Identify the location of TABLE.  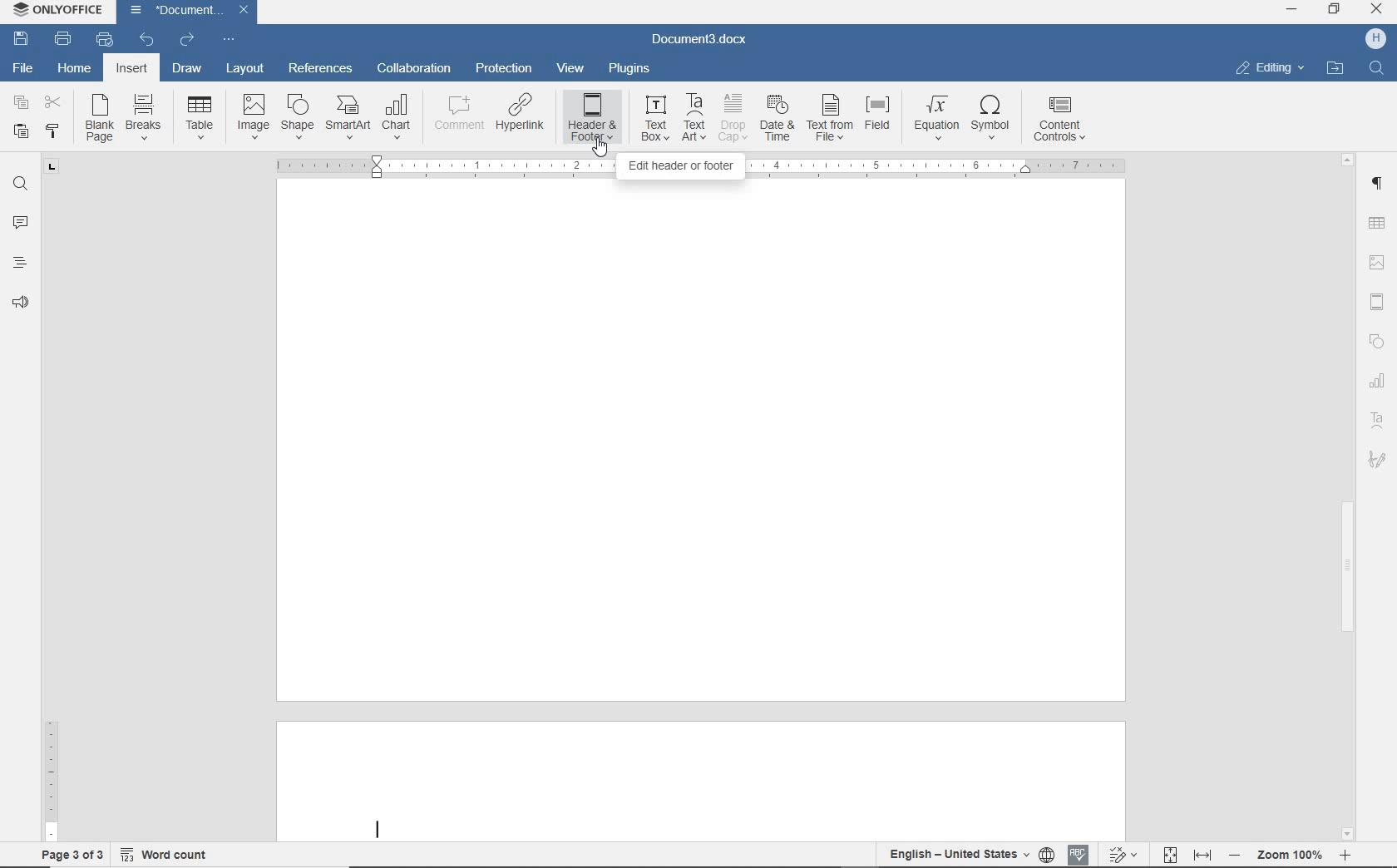
(1379, 222).